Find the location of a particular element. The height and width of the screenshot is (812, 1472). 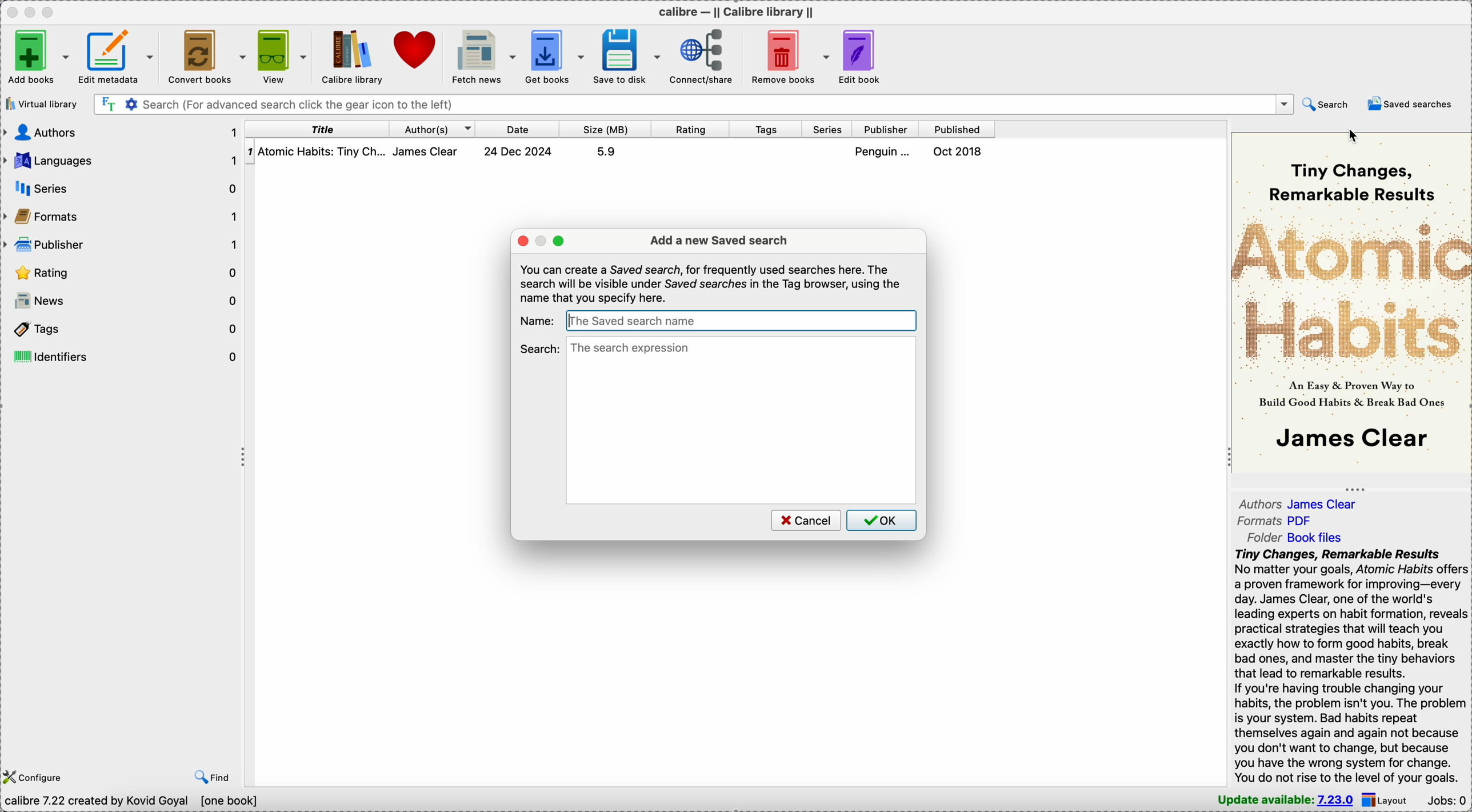

news is located at coordinates (122, 301).